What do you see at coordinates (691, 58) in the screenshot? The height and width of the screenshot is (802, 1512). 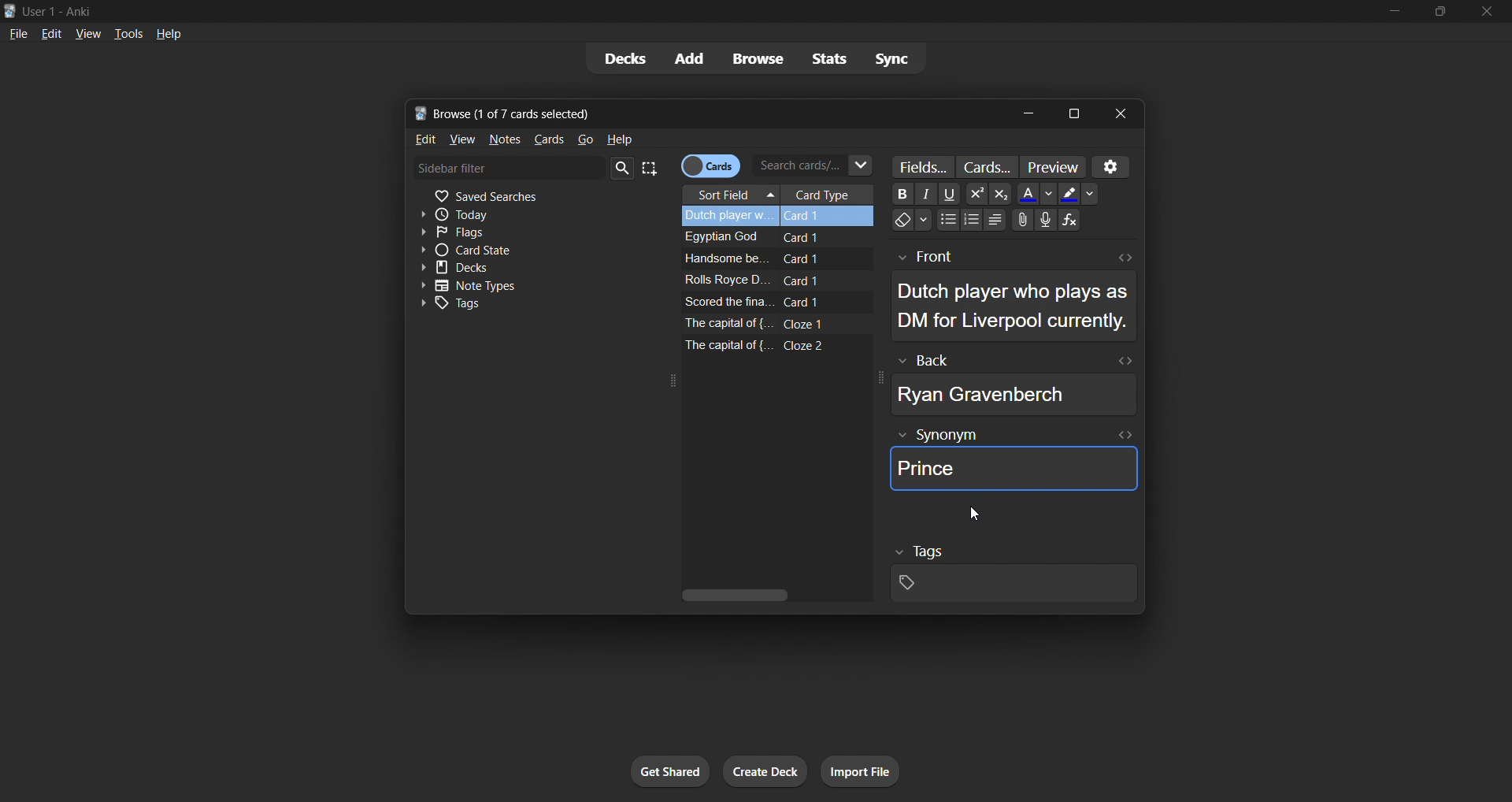 I see `add` at bounding box center [691, 58].